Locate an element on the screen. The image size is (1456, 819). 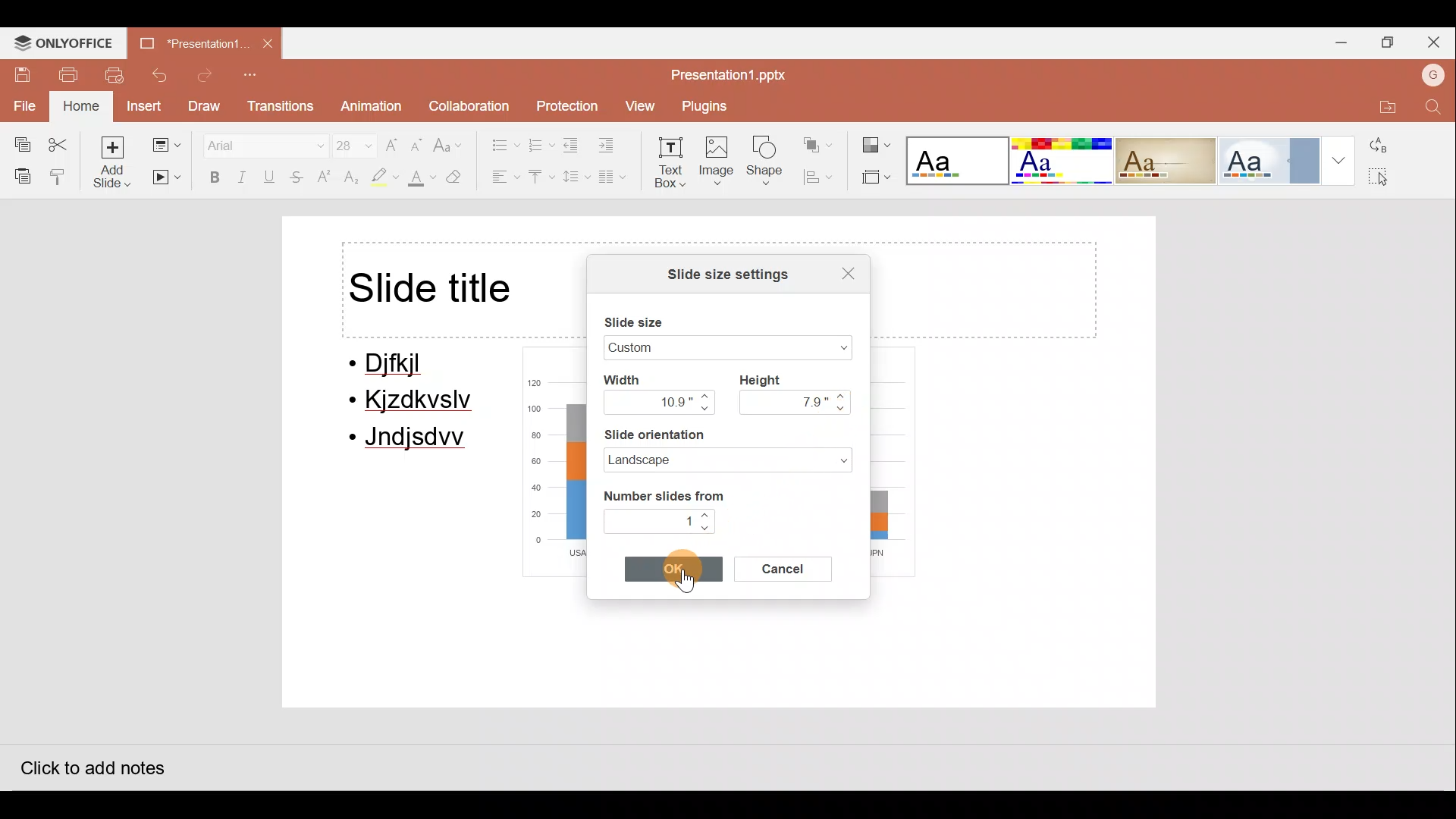
Draw is located at coordinates (206, 106).